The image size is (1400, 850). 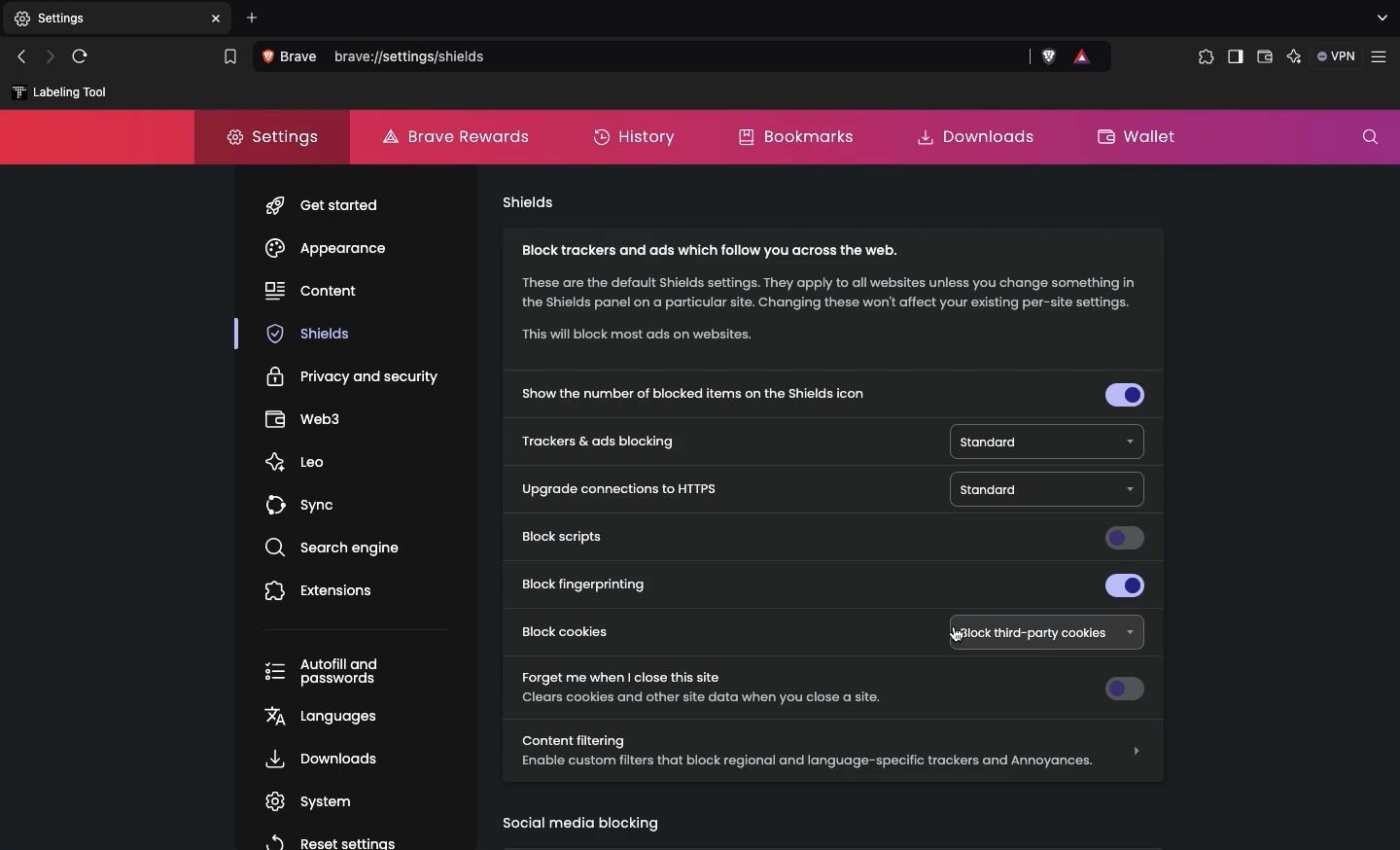 What do you see at coordinates (49, 57) in the screenshot?
I see `Next page` at bounding box center [49, 57].